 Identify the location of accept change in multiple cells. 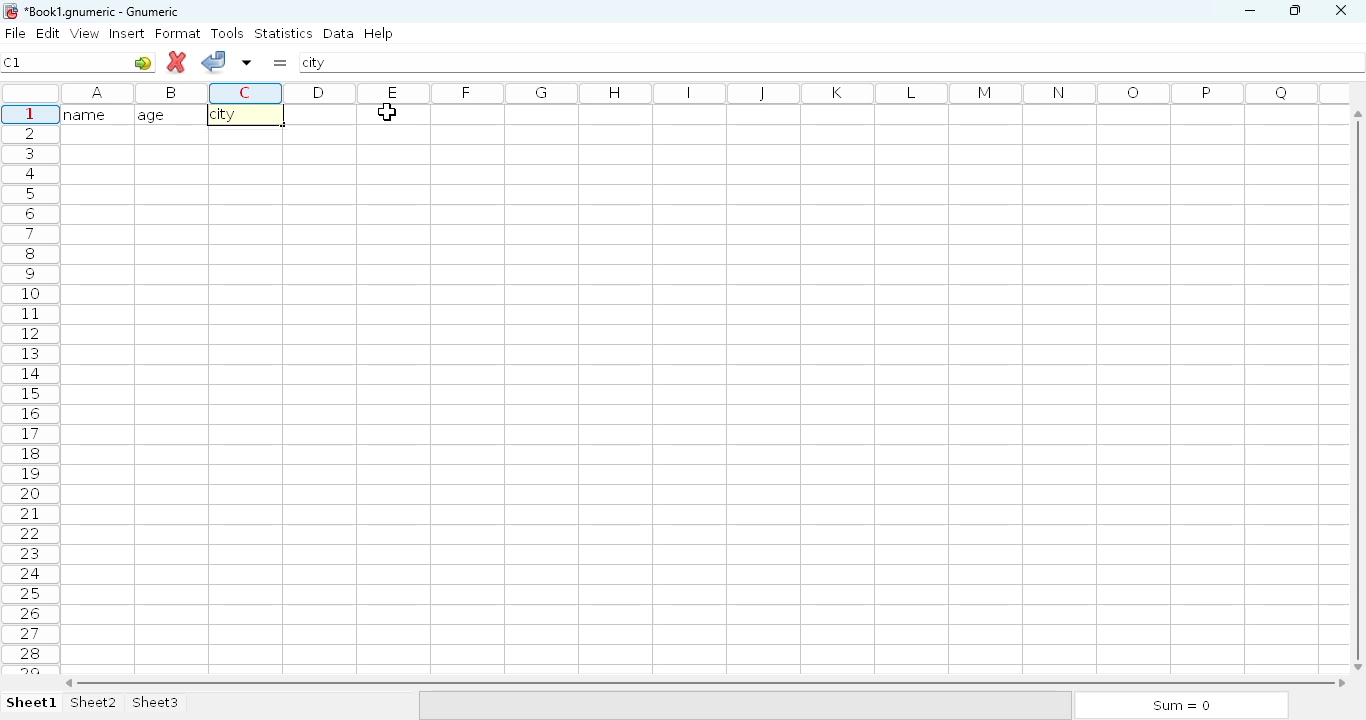
(247, 62).